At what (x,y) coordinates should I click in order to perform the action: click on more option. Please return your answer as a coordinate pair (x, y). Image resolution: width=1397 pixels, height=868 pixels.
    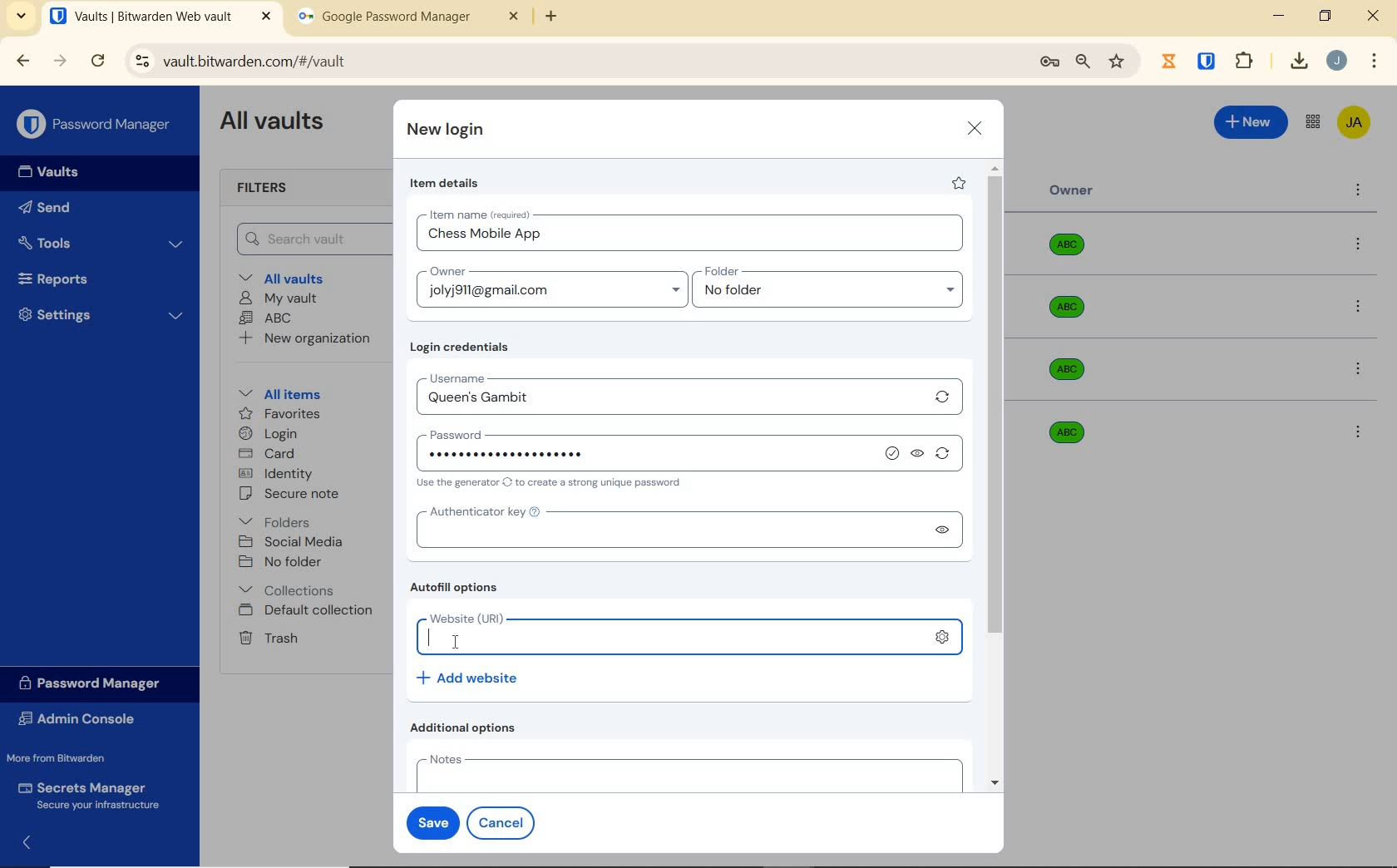
    Looking at the image, I should click on (1359, 191).